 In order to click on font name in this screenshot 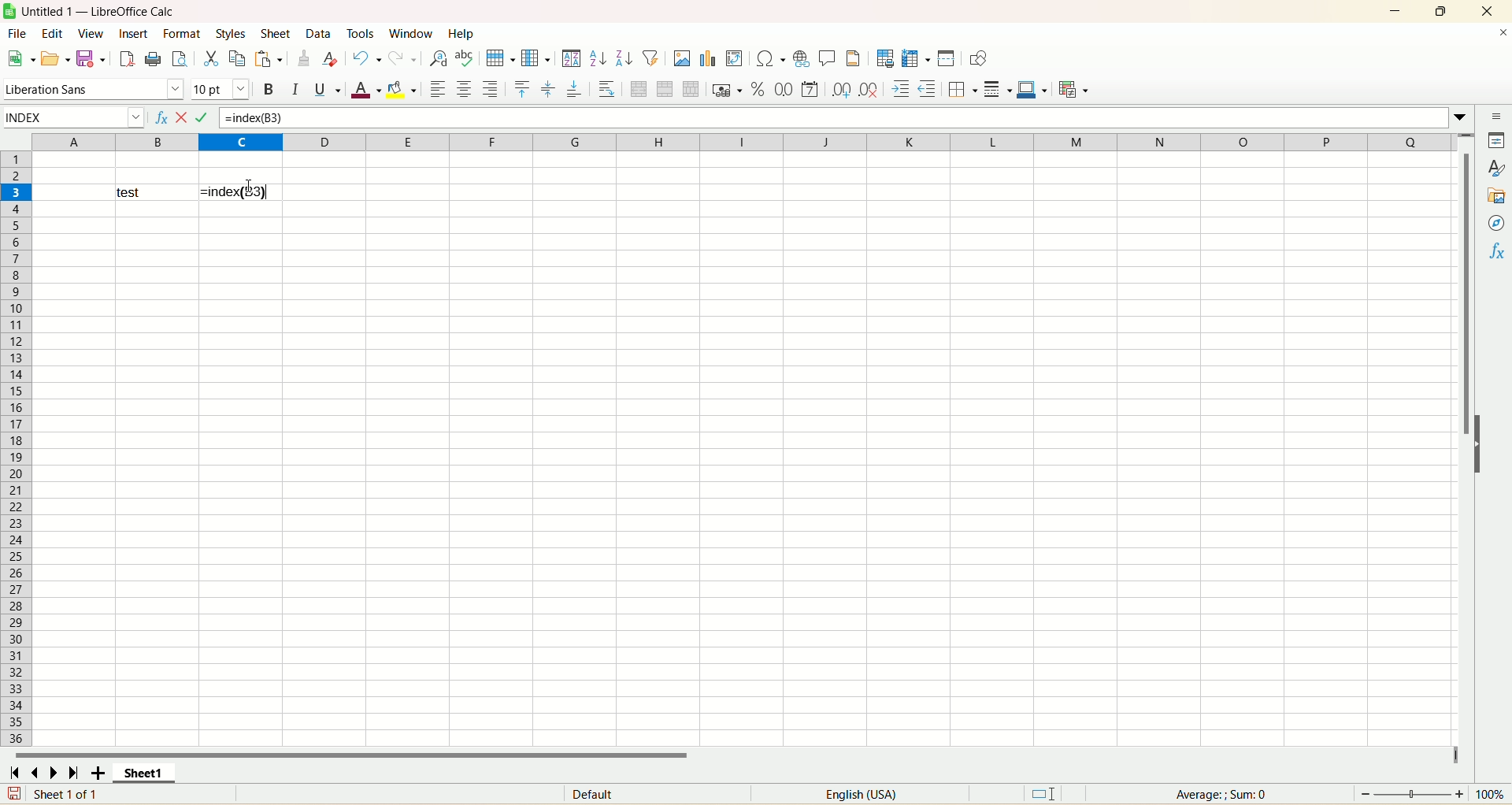, I will do `click(94, 90)`.